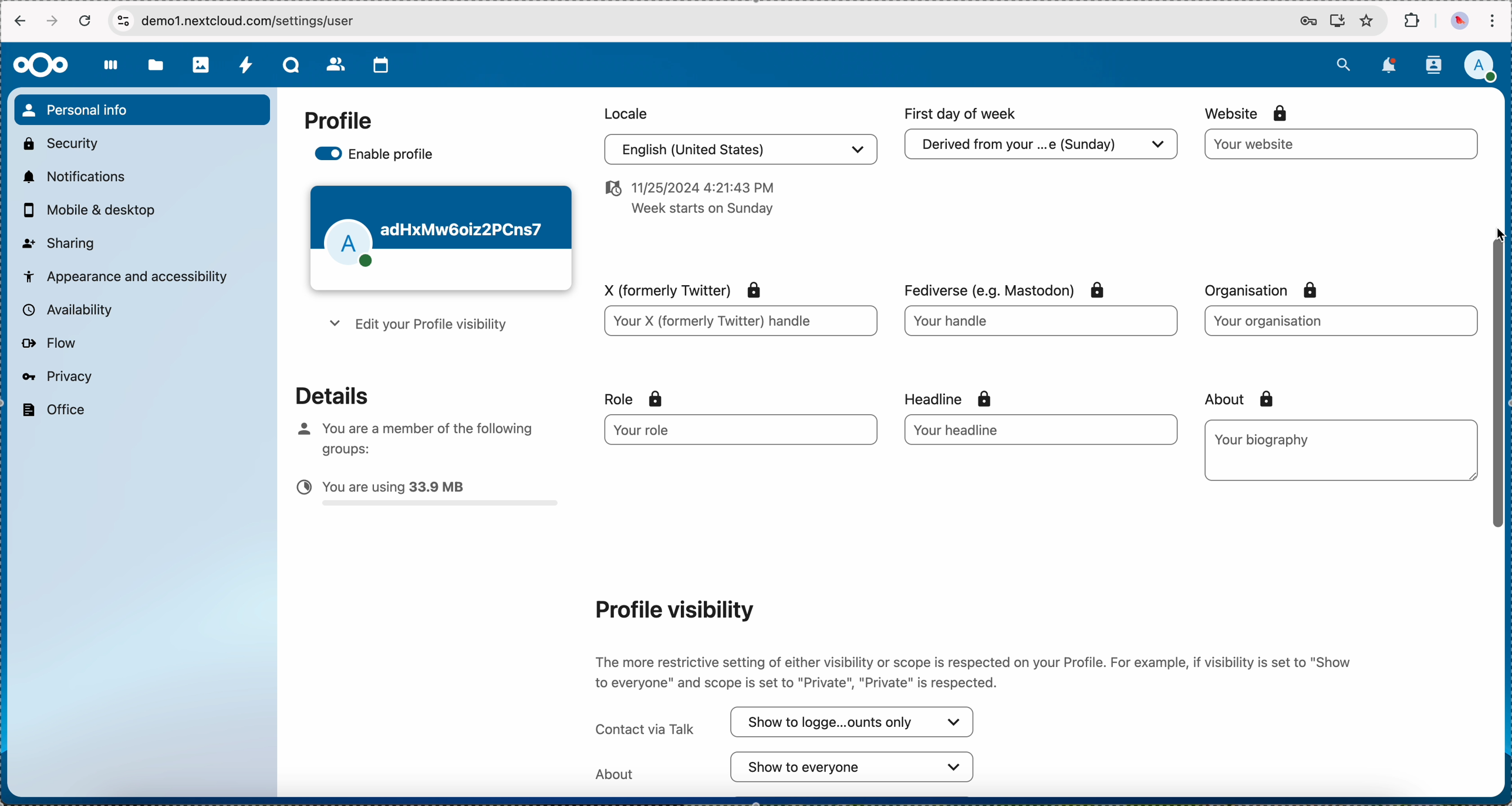 This screenshot has height=806, width=1512. I want to click on notifications, so click(1391, 65).